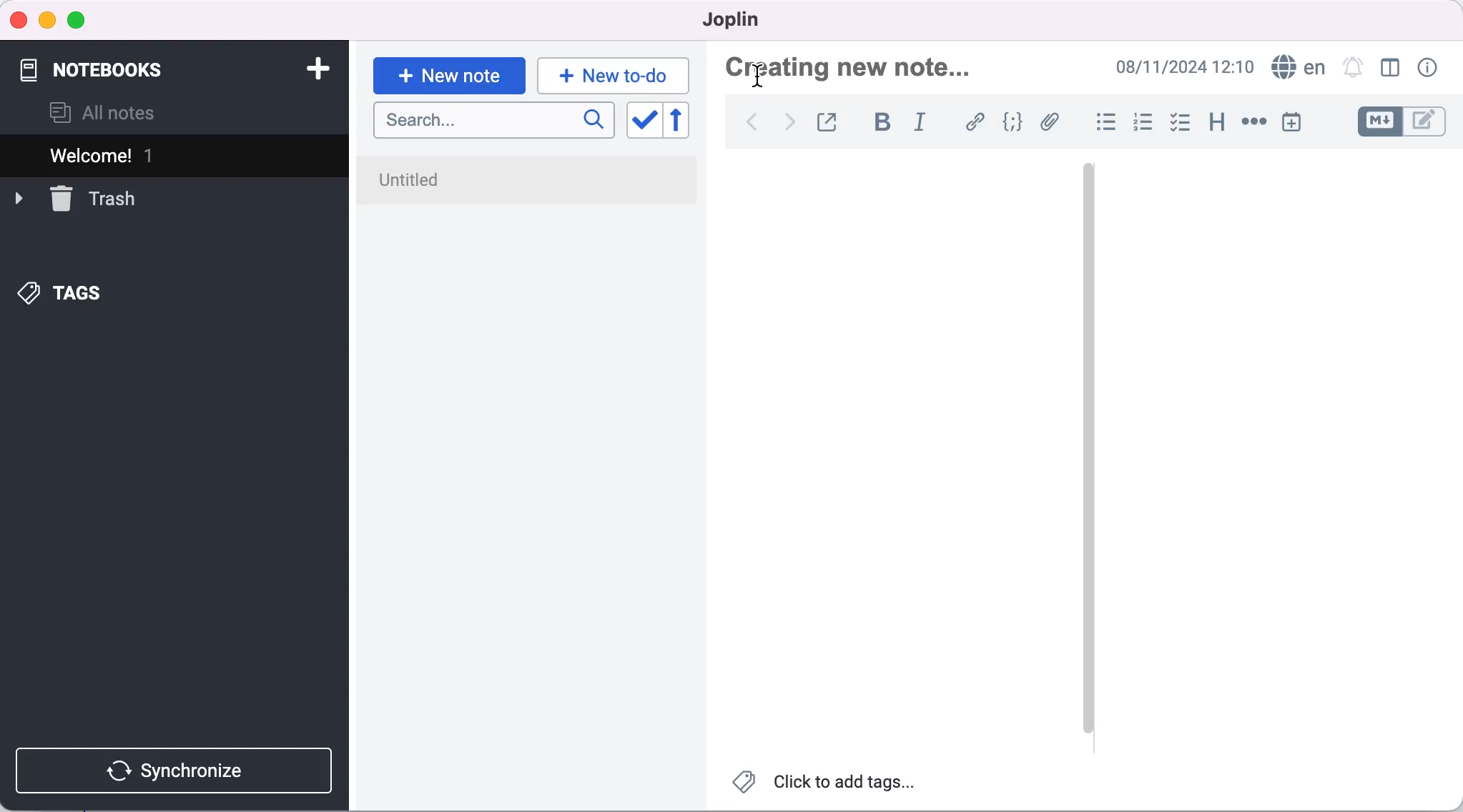 This screenshot has width=1463, height=812. Describe the element at coordinates (643, 123) in the screenshot. I see `toggle sort order field` at that location.